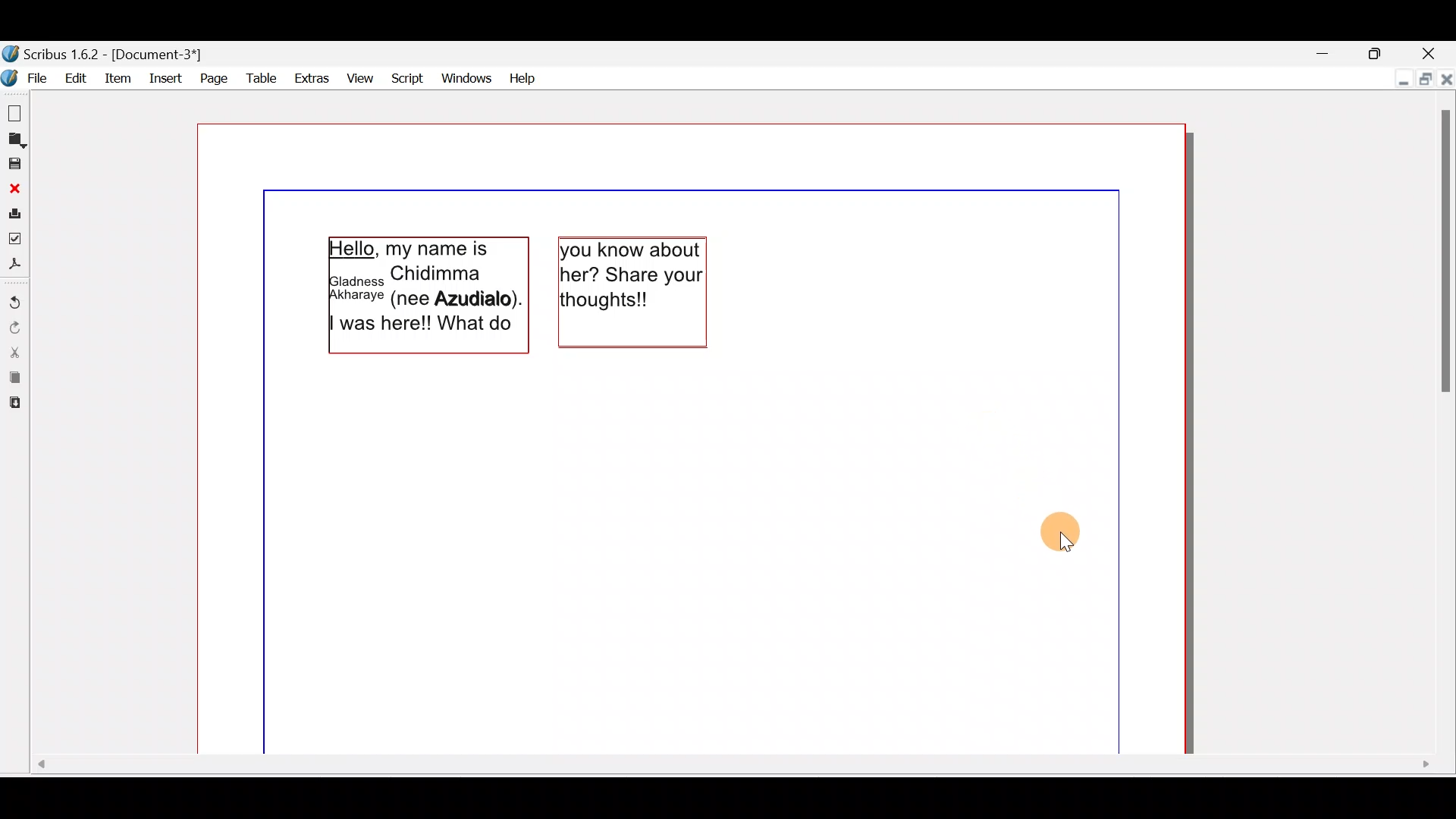 This screenshot has width=1456, height=819. I want to click on Scroll bar, so click(730, 771).